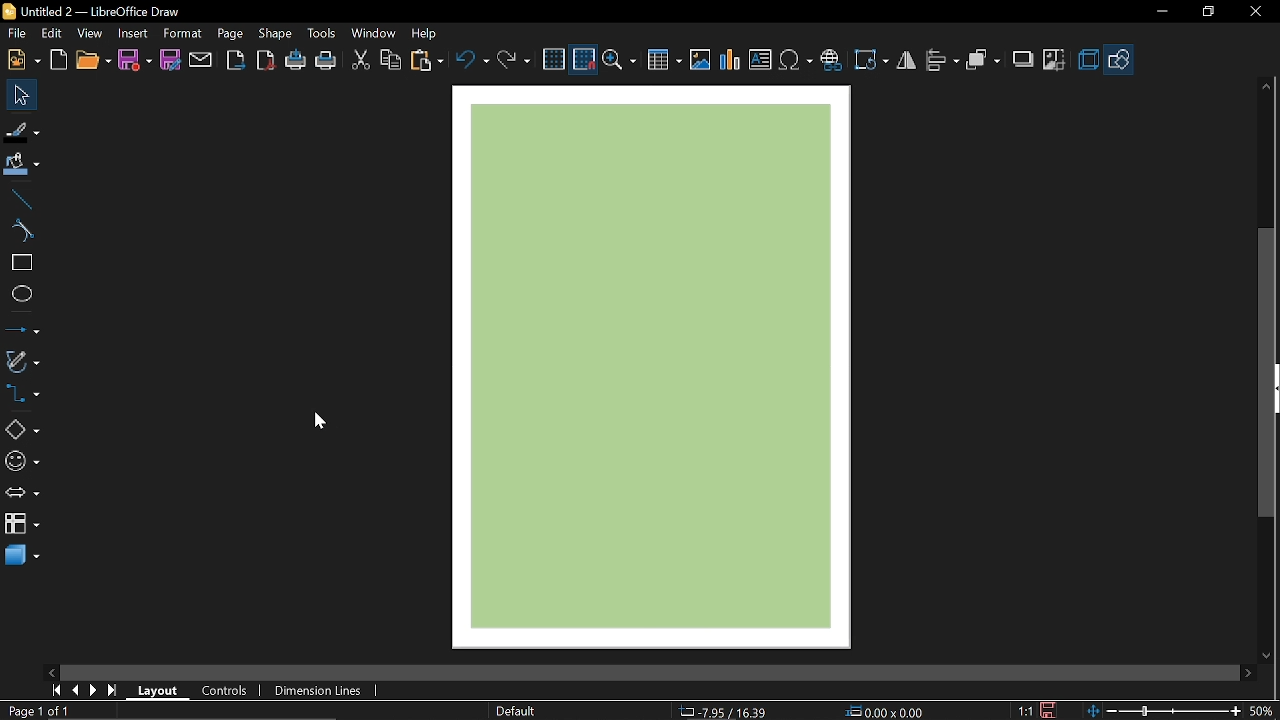 This screenshot has height=720, width=1280. I want to click on Edit, so click(51, 34).